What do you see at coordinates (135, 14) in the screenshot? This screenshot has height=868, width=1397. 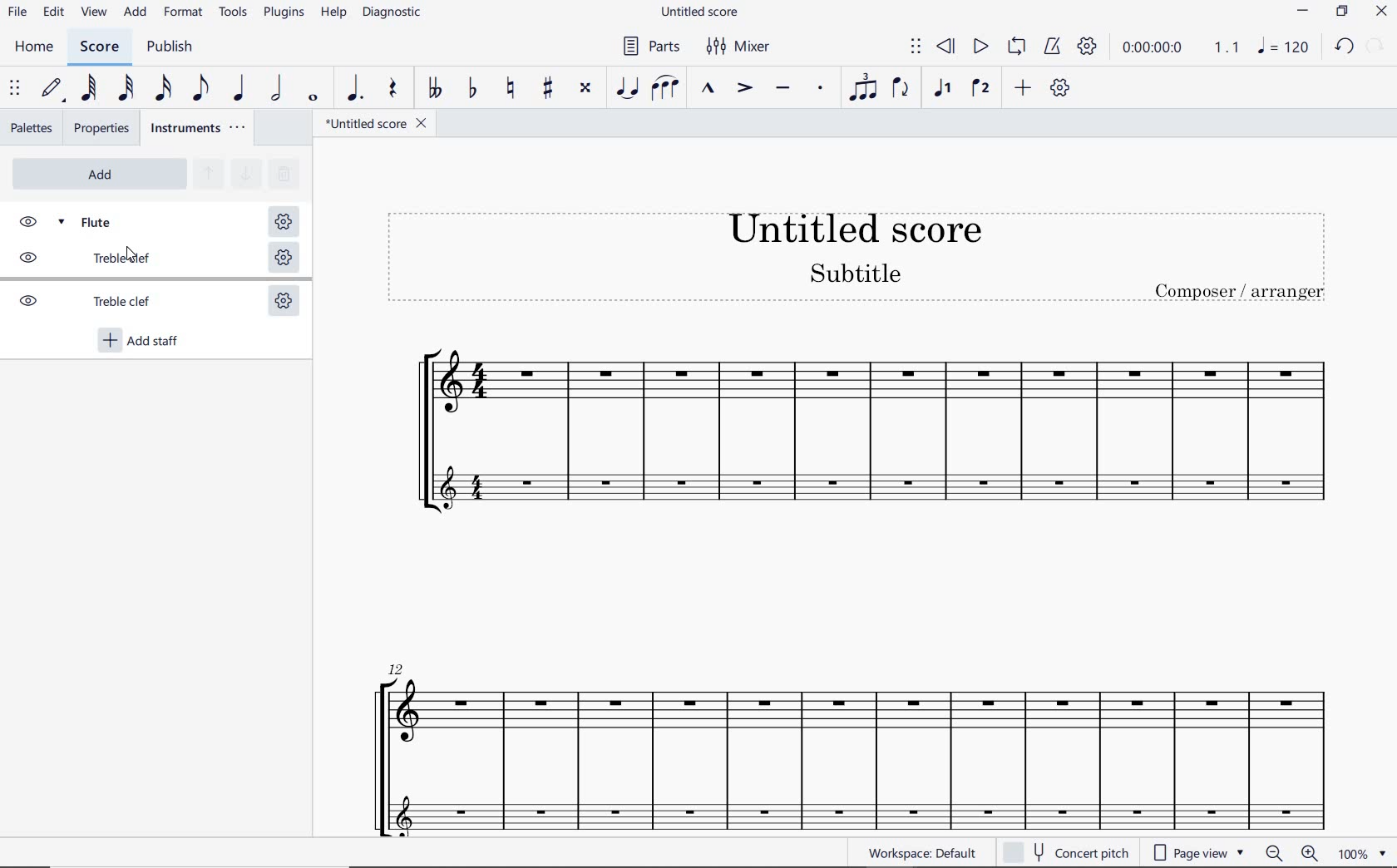 I see `ADD` at bounding box center [135, 14].